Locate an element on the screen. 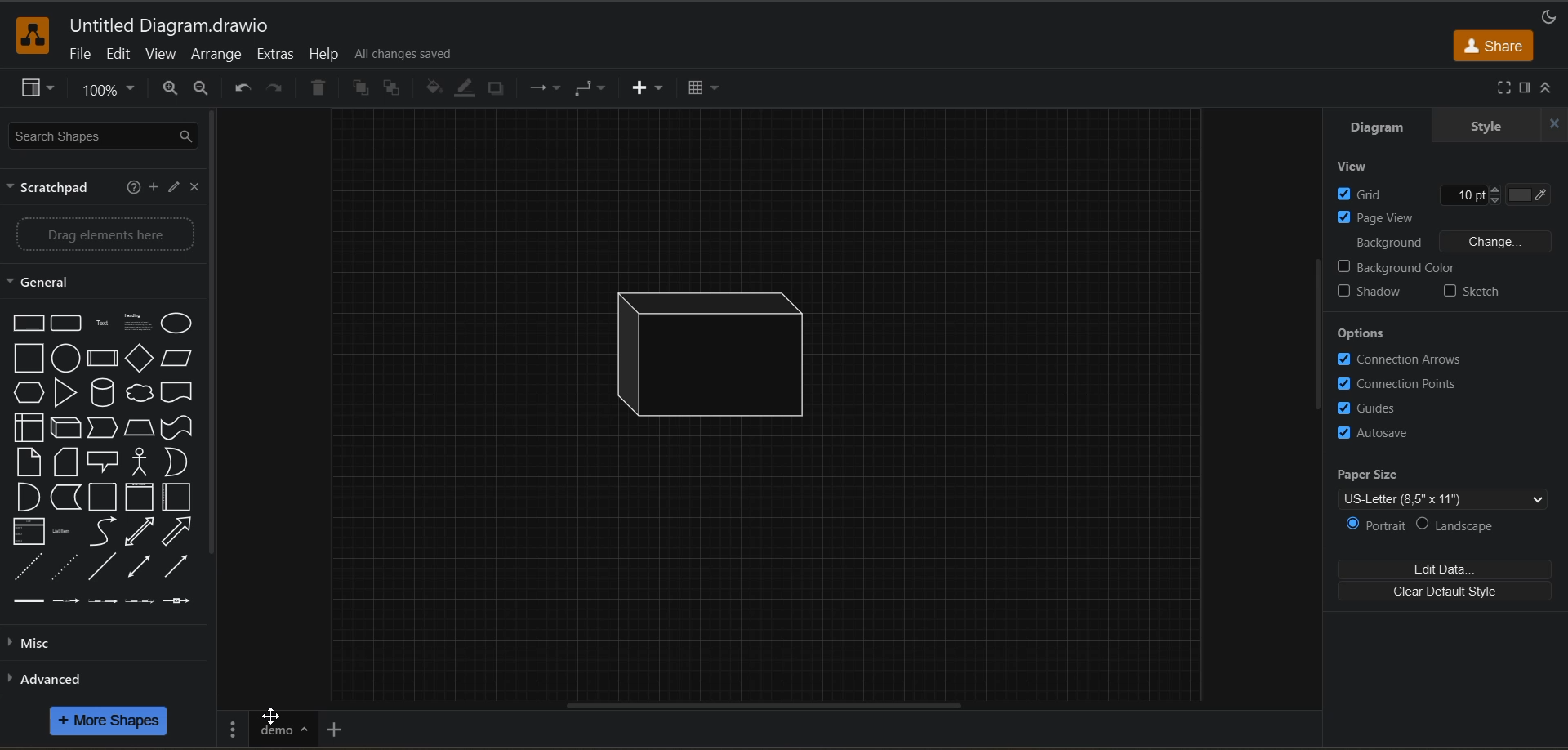  edit data is located at coordinates (1445, 569).